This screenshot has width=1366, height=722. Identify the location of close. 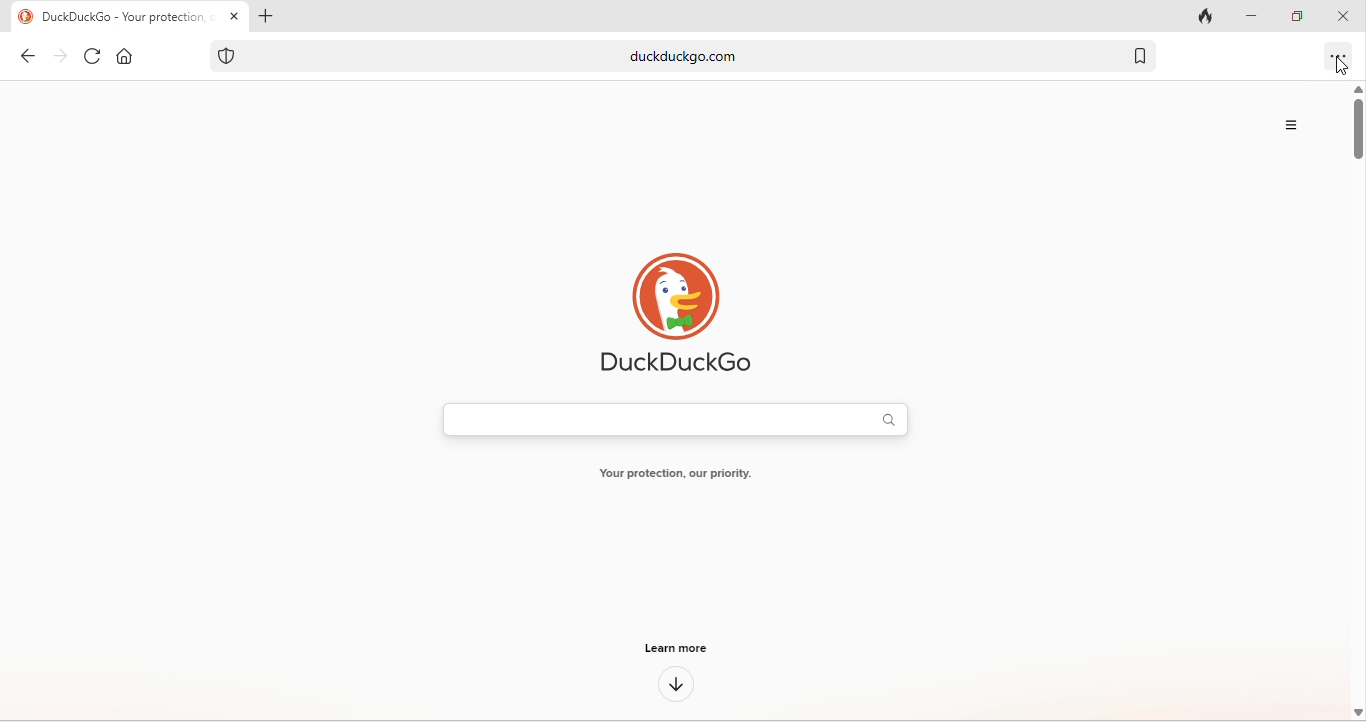
(1342, 15).